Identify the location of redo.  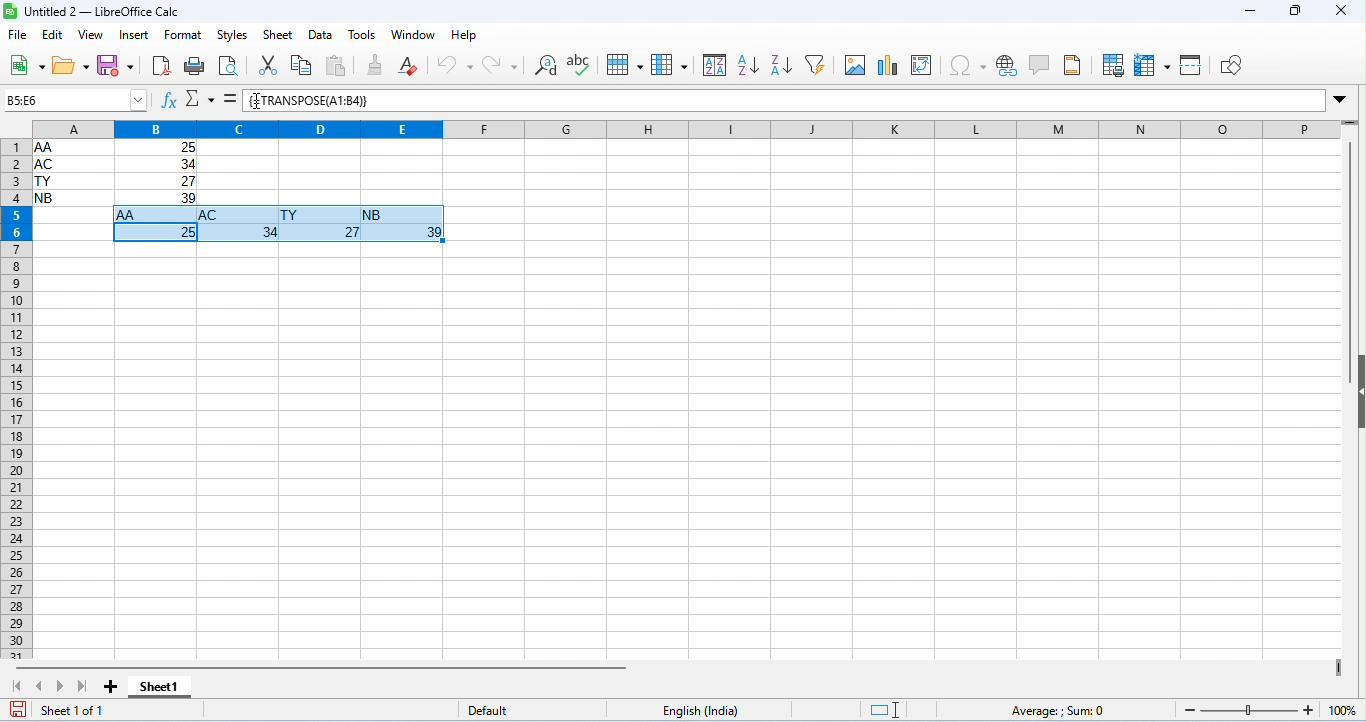
(500, 64).